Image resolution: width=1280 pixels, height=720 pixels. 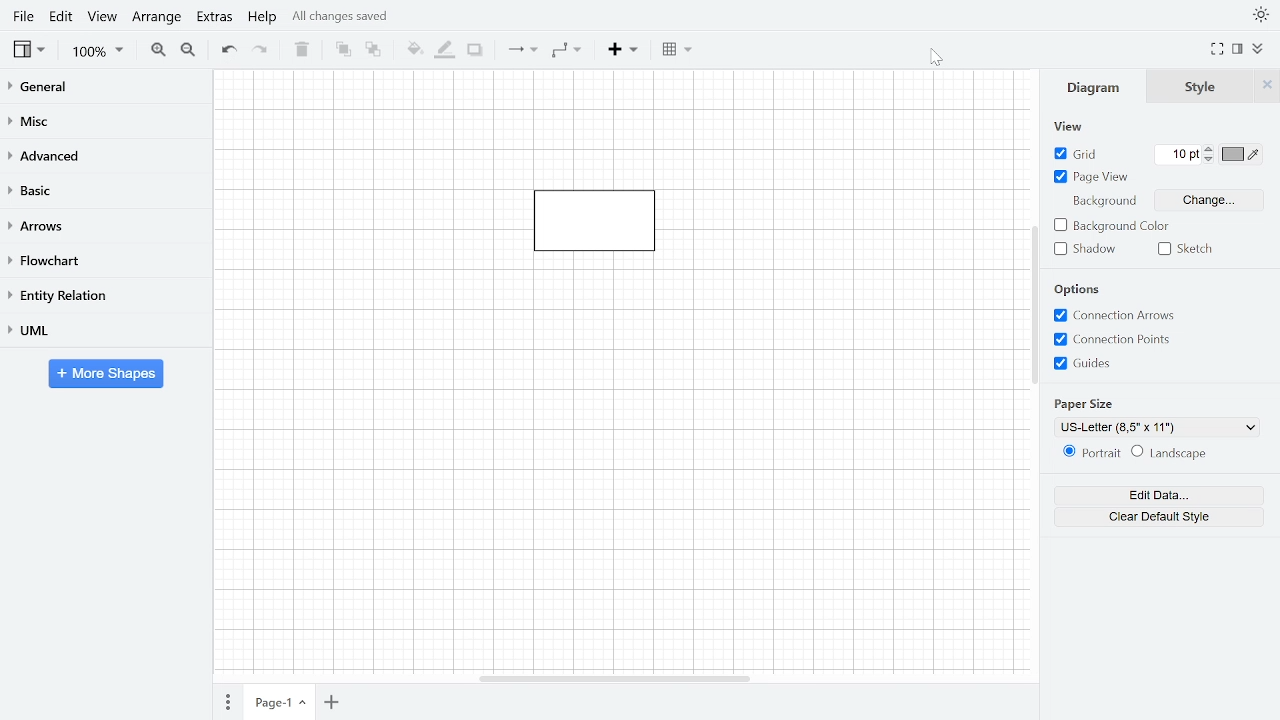 What do you see at coordinates (157, 50) in the screenshot?
I see `Zoom in` at bounding box center [157, 50].